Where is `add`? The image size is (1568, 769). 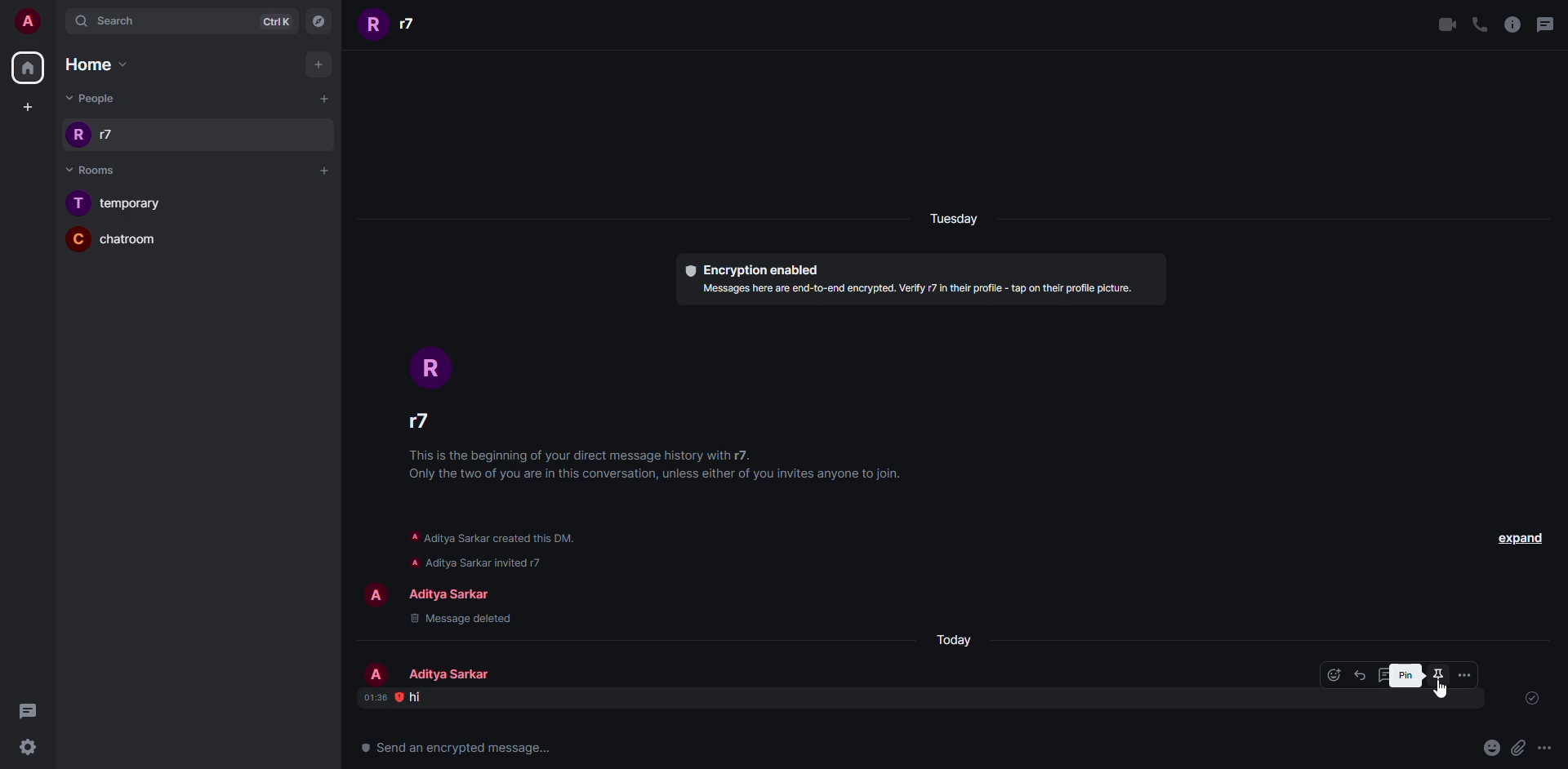 add is located at coordinates (325, 97).